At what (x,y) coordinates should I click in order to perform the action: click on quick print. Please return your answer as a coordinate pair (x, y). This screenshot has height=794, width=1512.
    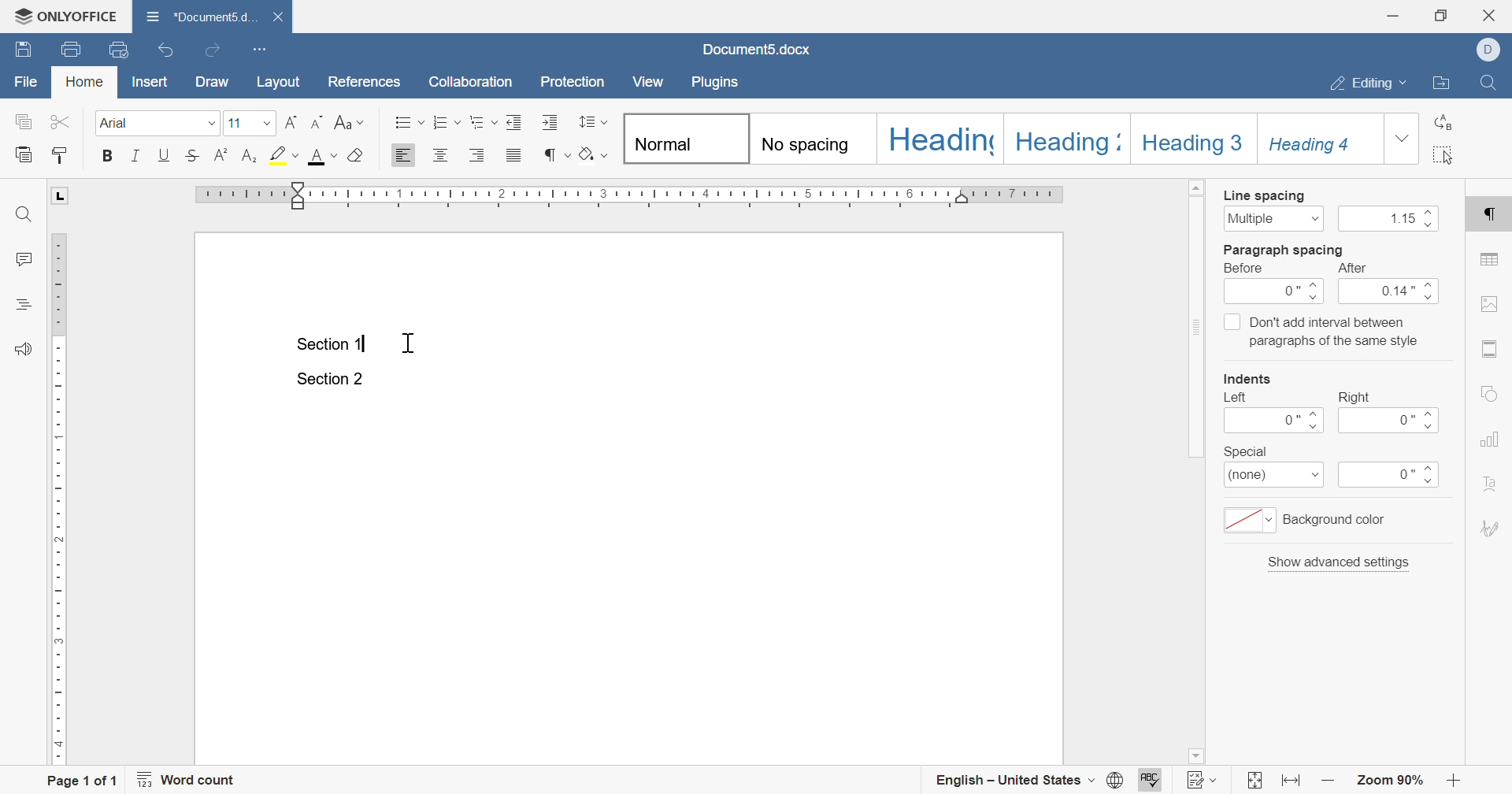
    Looking at the image, I should click on (121, 49).